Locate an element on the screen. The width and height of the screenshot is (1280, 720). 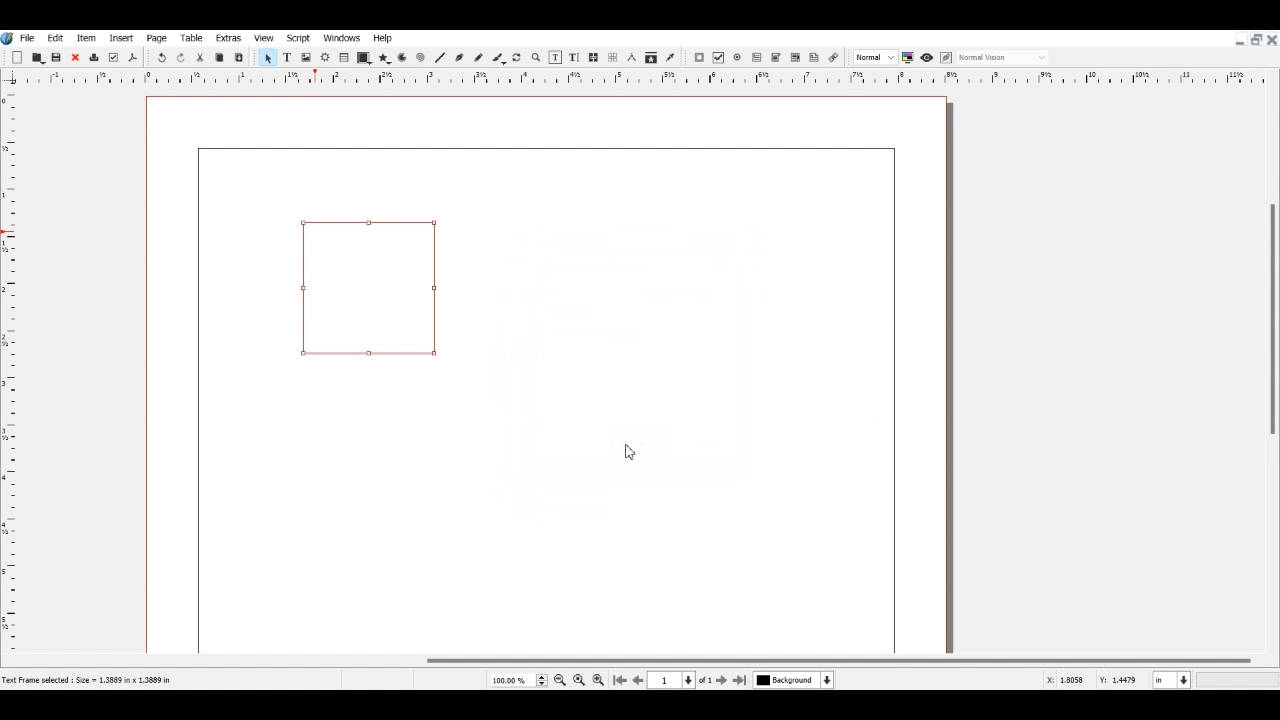
Edit is located at coordinates (54, 37).